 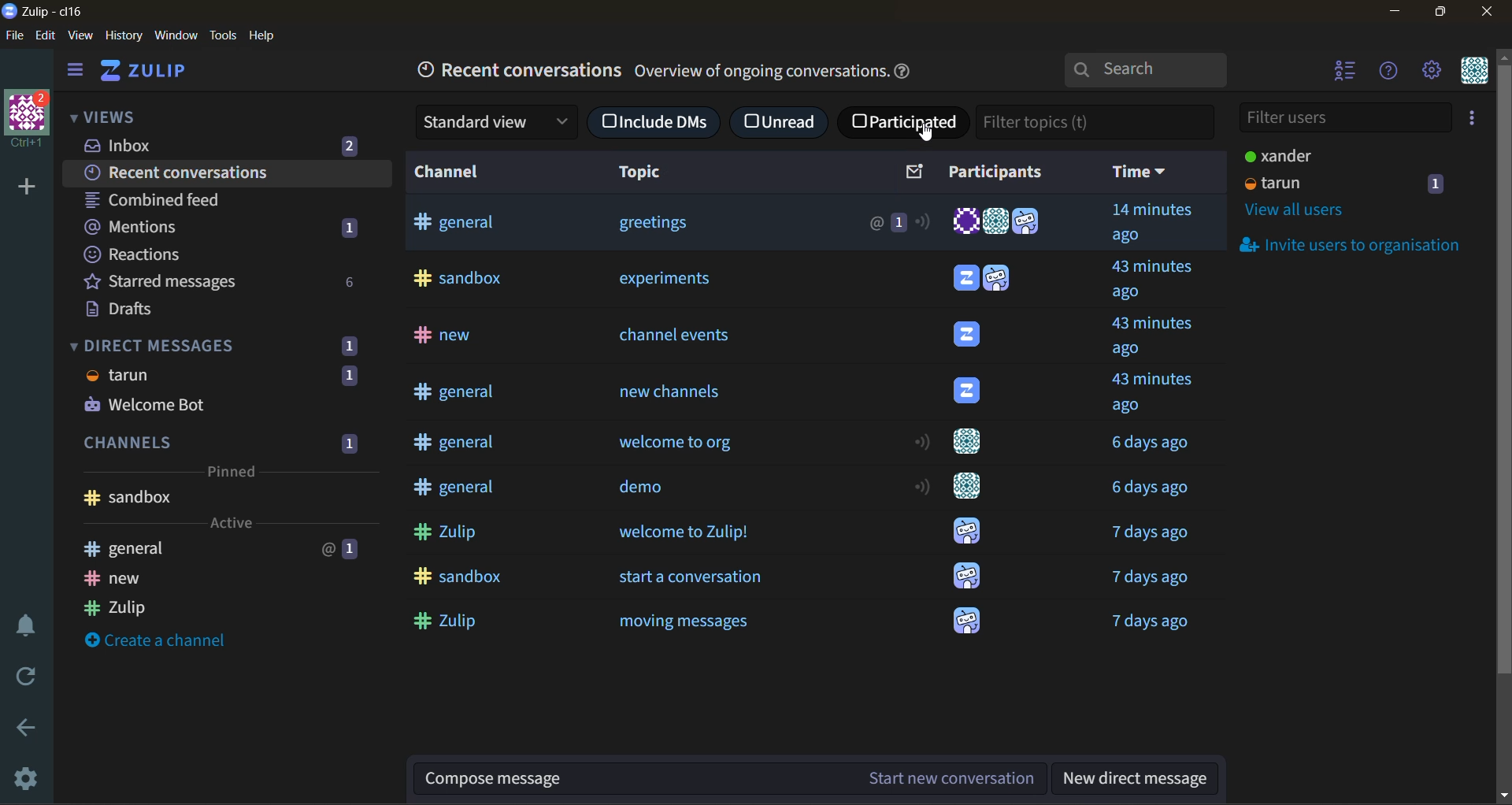 I want to click on 1 message, so click(x=1438, y=184).